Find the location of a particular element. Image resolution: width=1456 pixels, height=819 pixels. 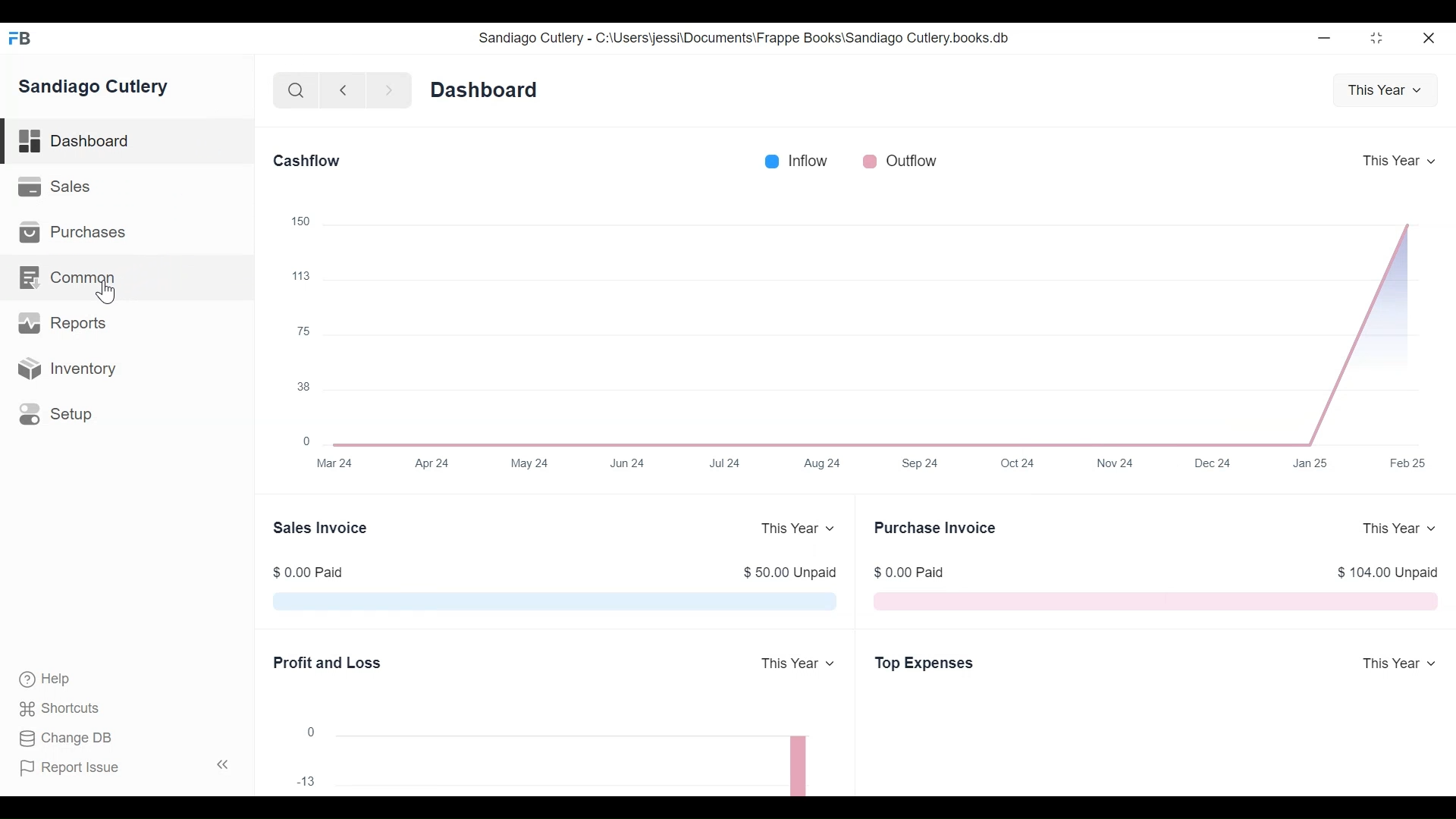

13 is located at coordinates (306, 781).